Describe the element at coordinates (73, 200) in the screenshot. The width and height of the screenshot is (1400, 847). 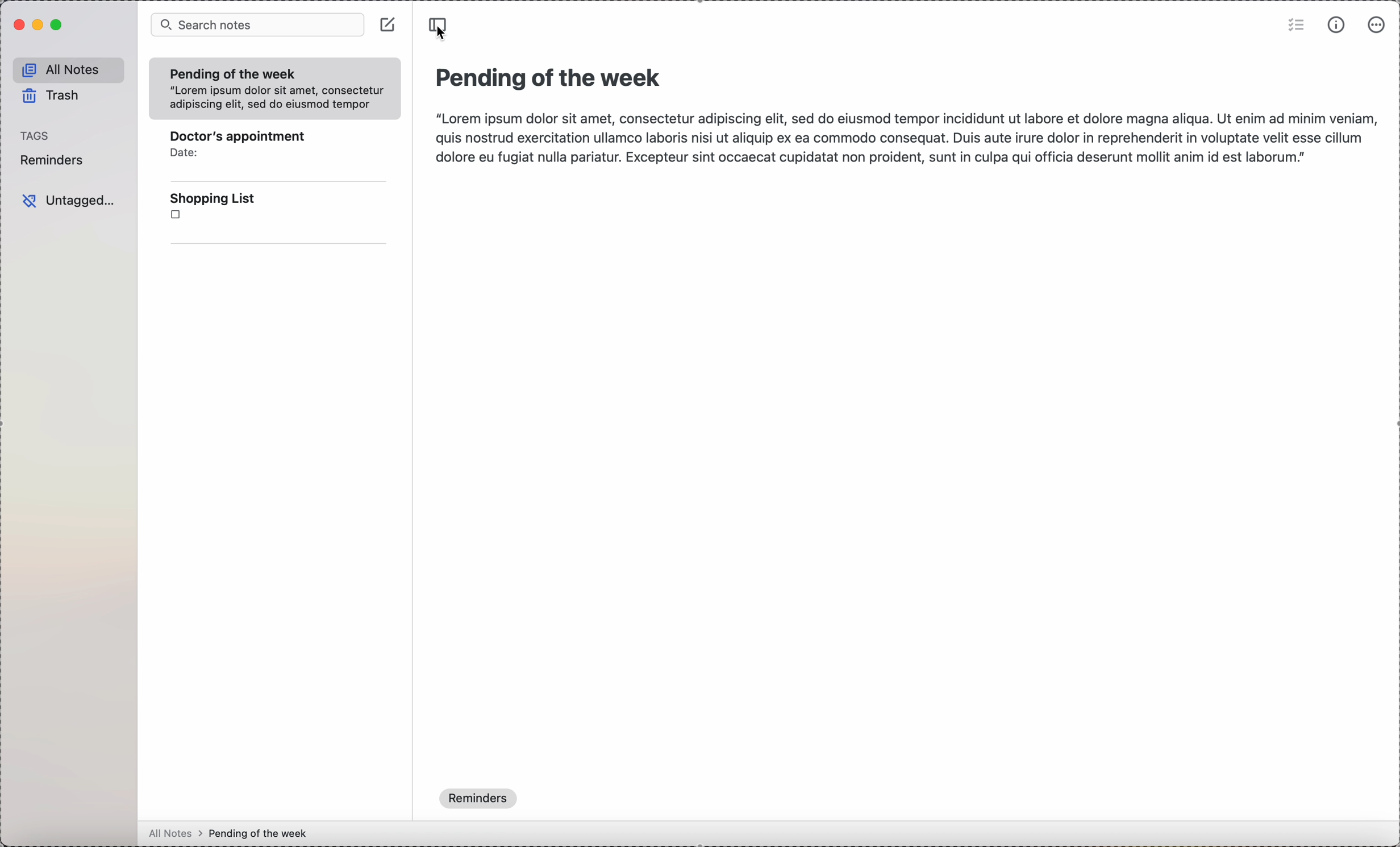
I see `untagged` at that location.